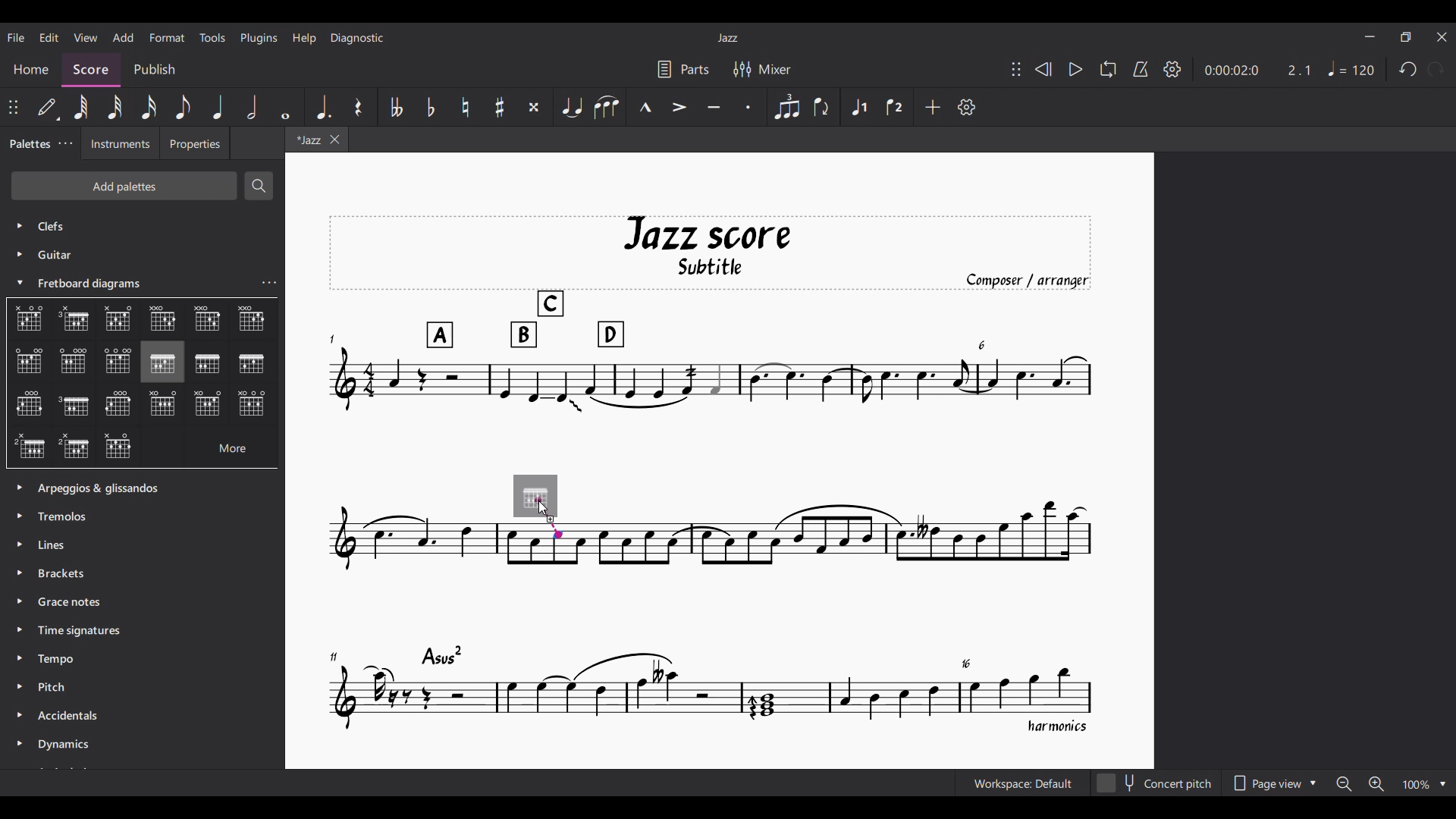 The height and width of the screenshot is (819, 1456). I want to click on Chart3, so click(120, 320).